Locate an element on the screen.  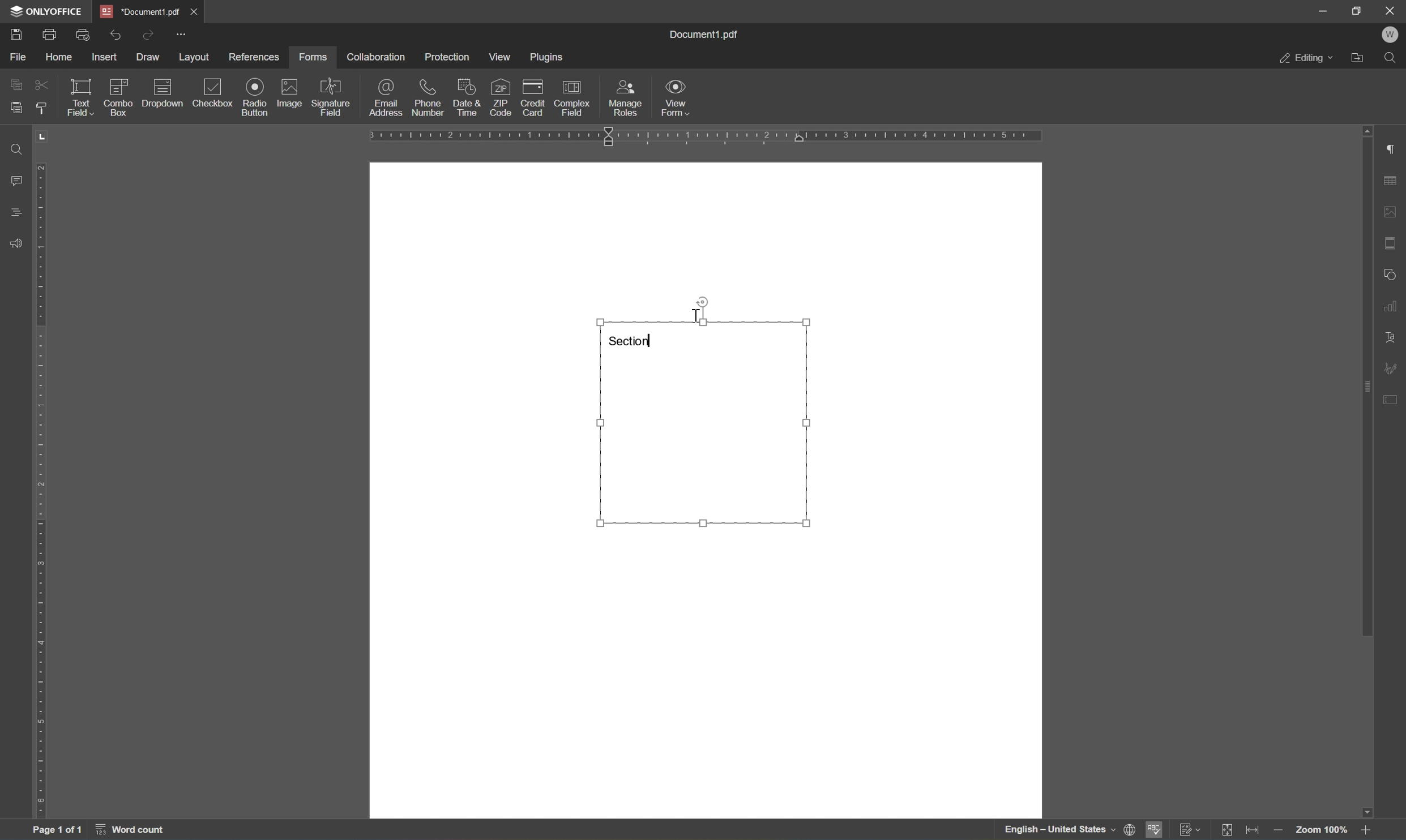
insert is located at coordinates (105, 57).